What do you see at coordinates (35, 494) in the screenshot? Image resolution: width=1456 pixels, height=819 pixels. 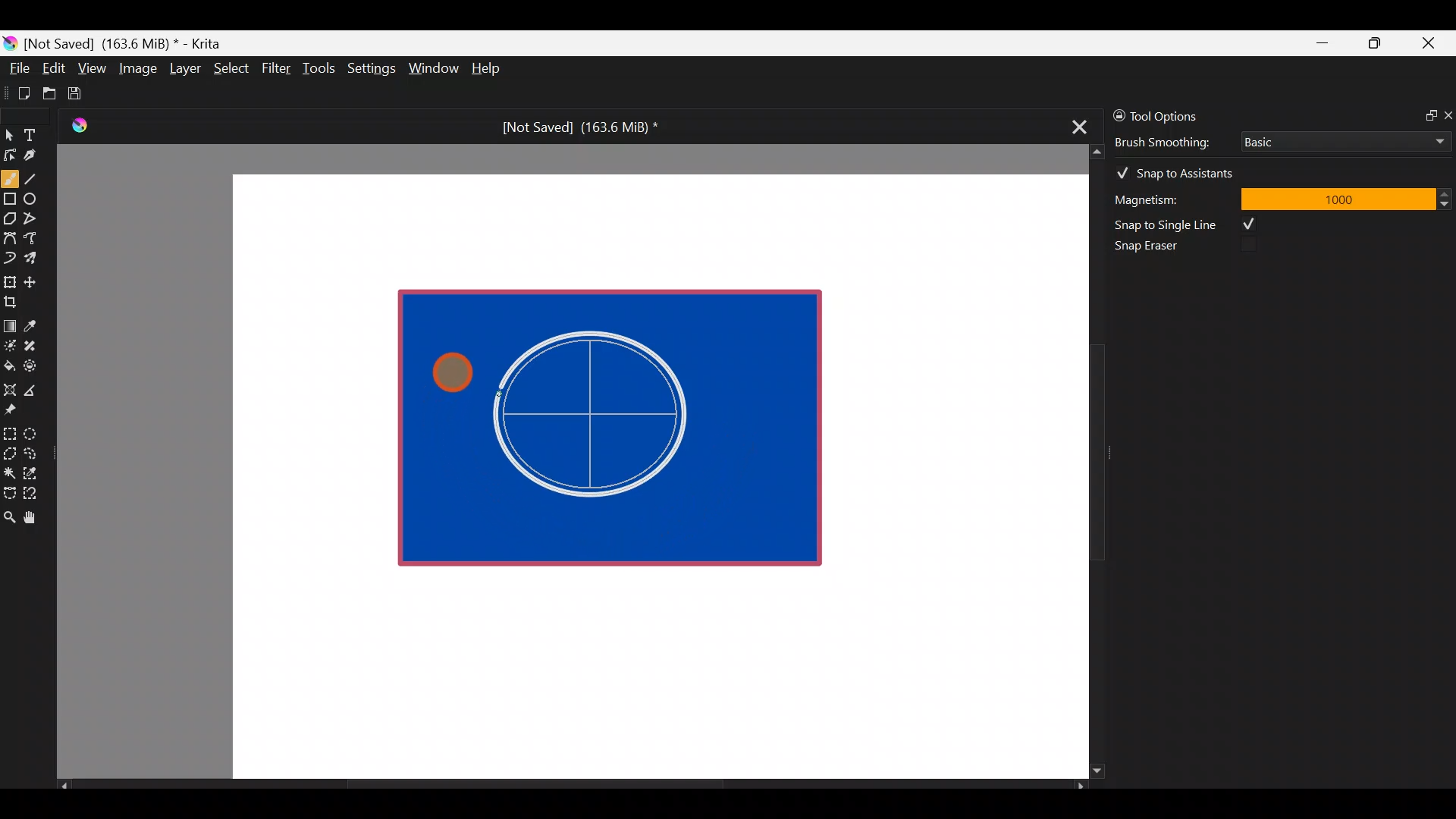 I see `Magnetic curve selection tool` at bounding box center [35, 494].